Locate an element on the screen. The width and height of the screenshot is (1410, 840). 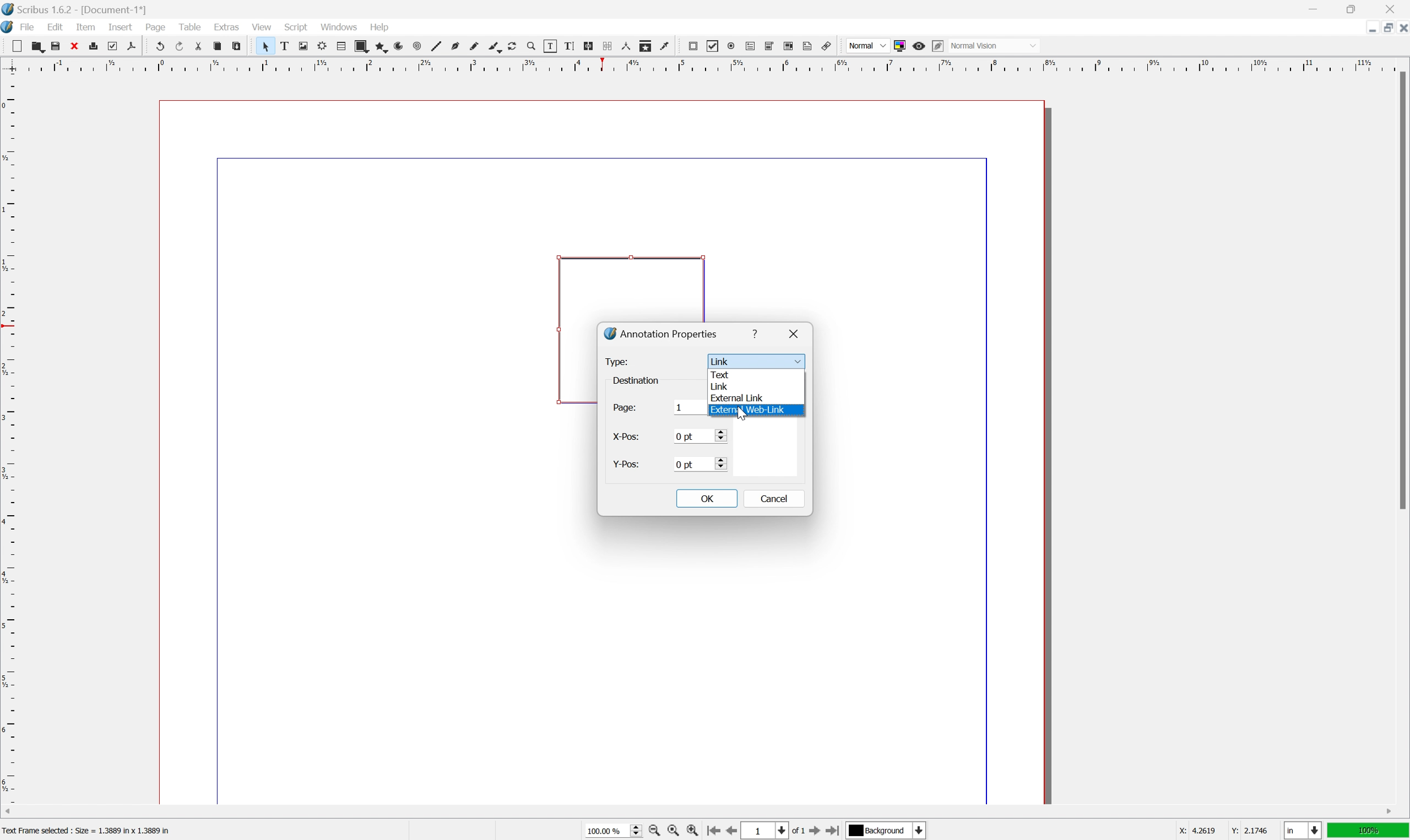
ruler is located at coordinates (9, 438).